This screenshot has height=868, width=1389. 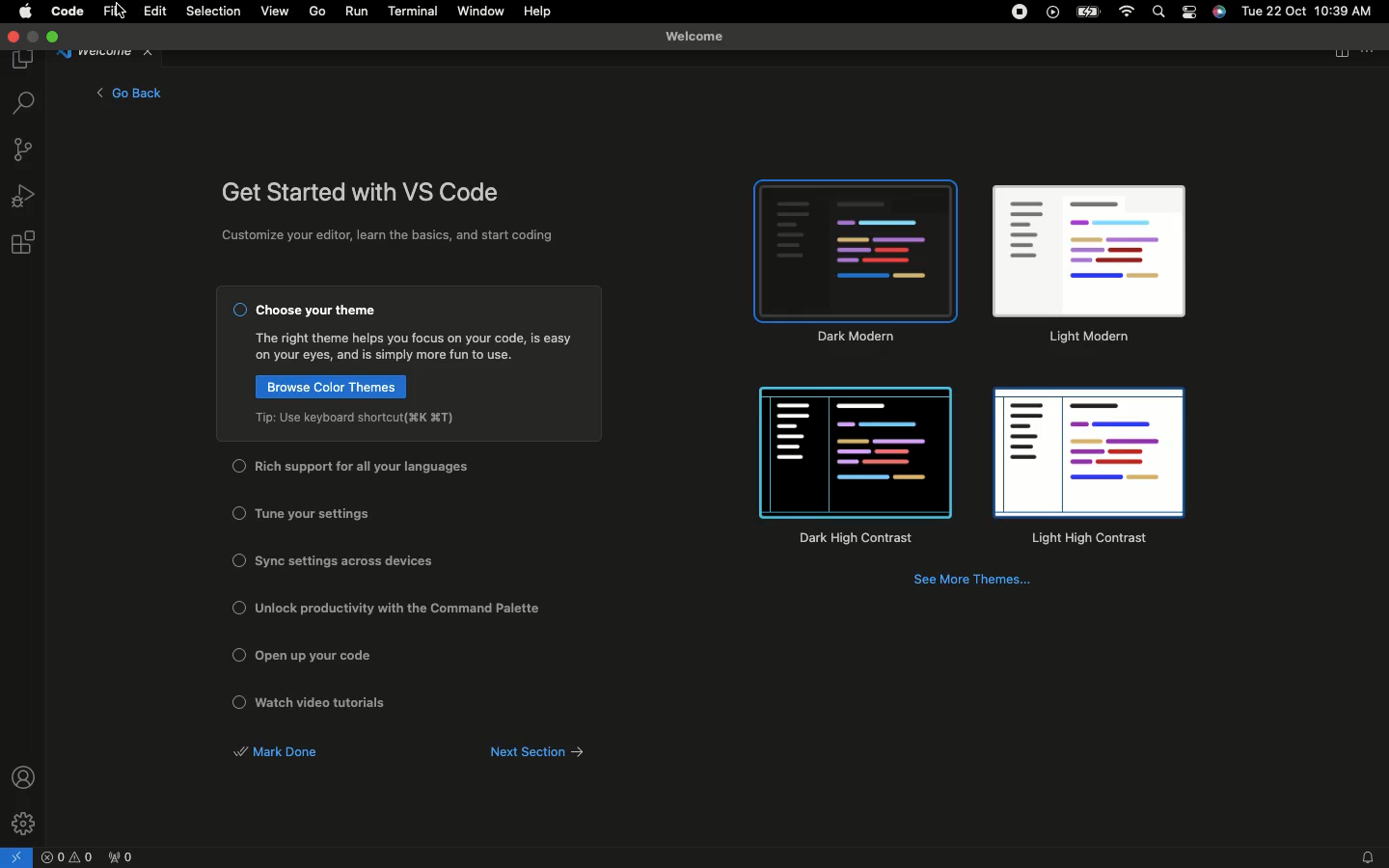 What do you see at coordinates (236, 466) in the screenshot?
I see `Checkbox` at bounding box center [236, 466].